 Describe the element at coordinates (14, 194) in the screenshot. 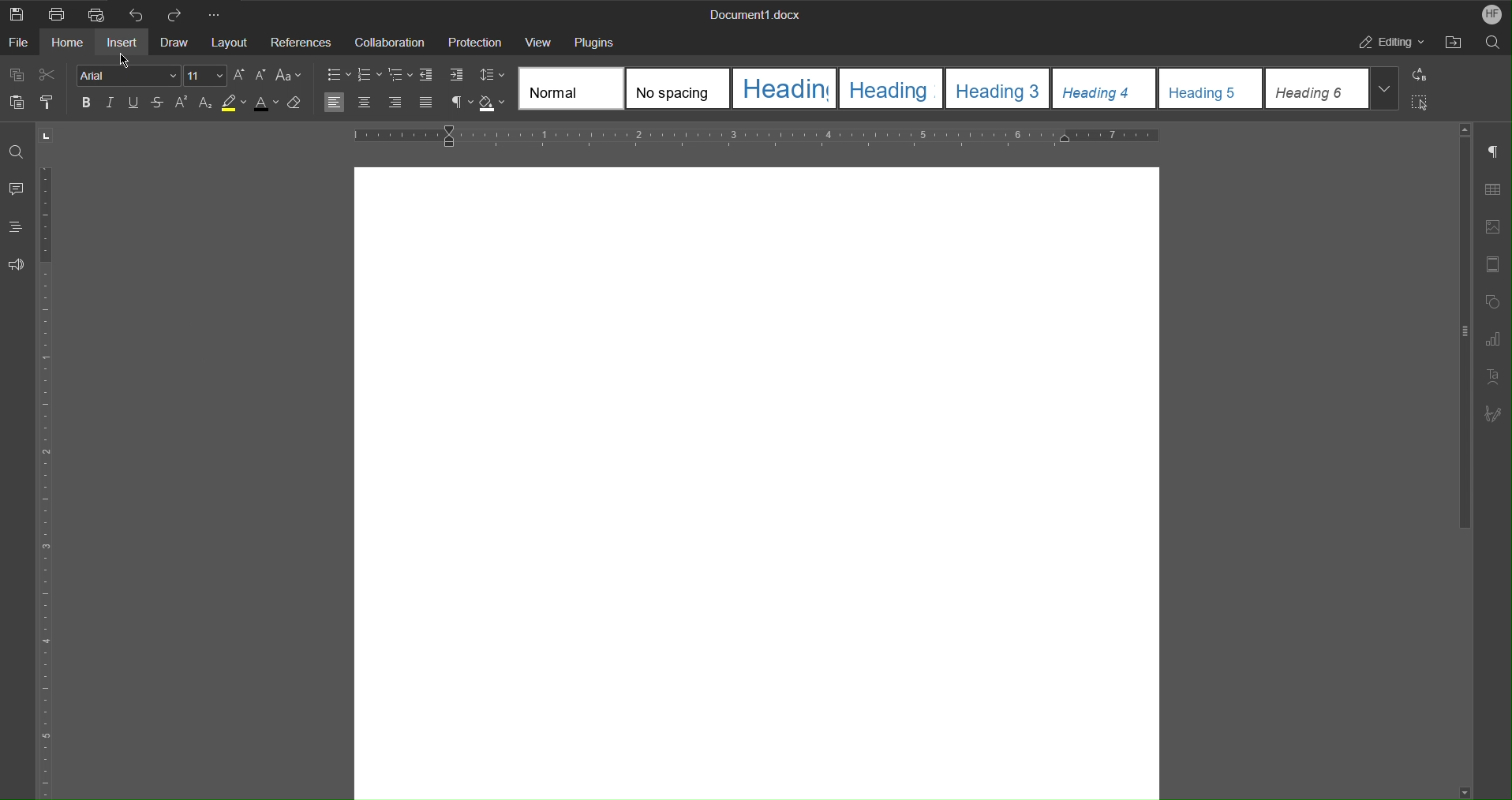

I see `Comments` at that location.